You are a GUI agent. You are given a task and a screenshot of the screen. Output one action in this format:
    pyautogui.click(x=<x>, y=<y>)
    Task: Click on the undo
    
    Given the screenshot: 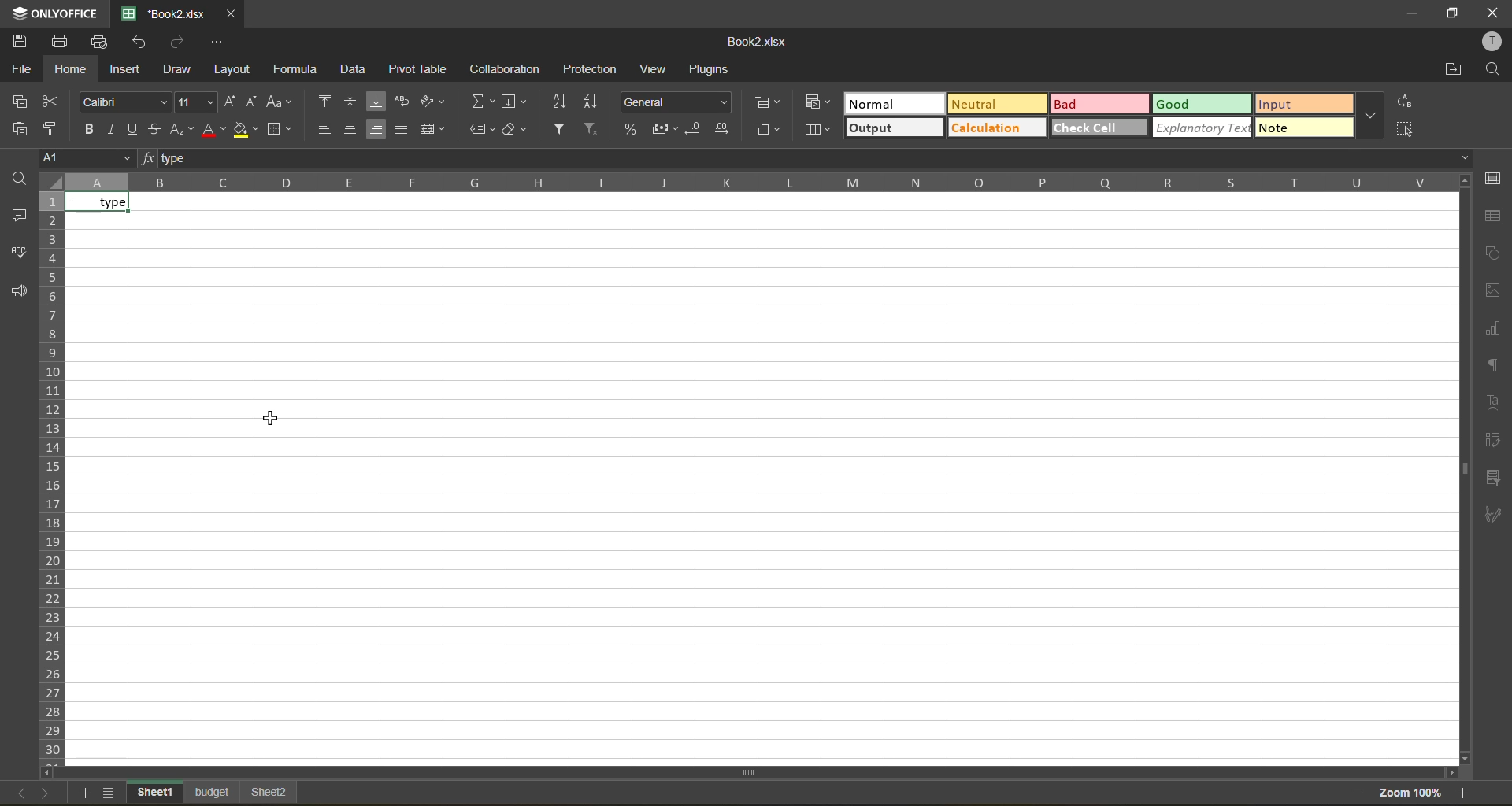 What is the action you would take?
    pyautogui.click(x=137, y=43)
    